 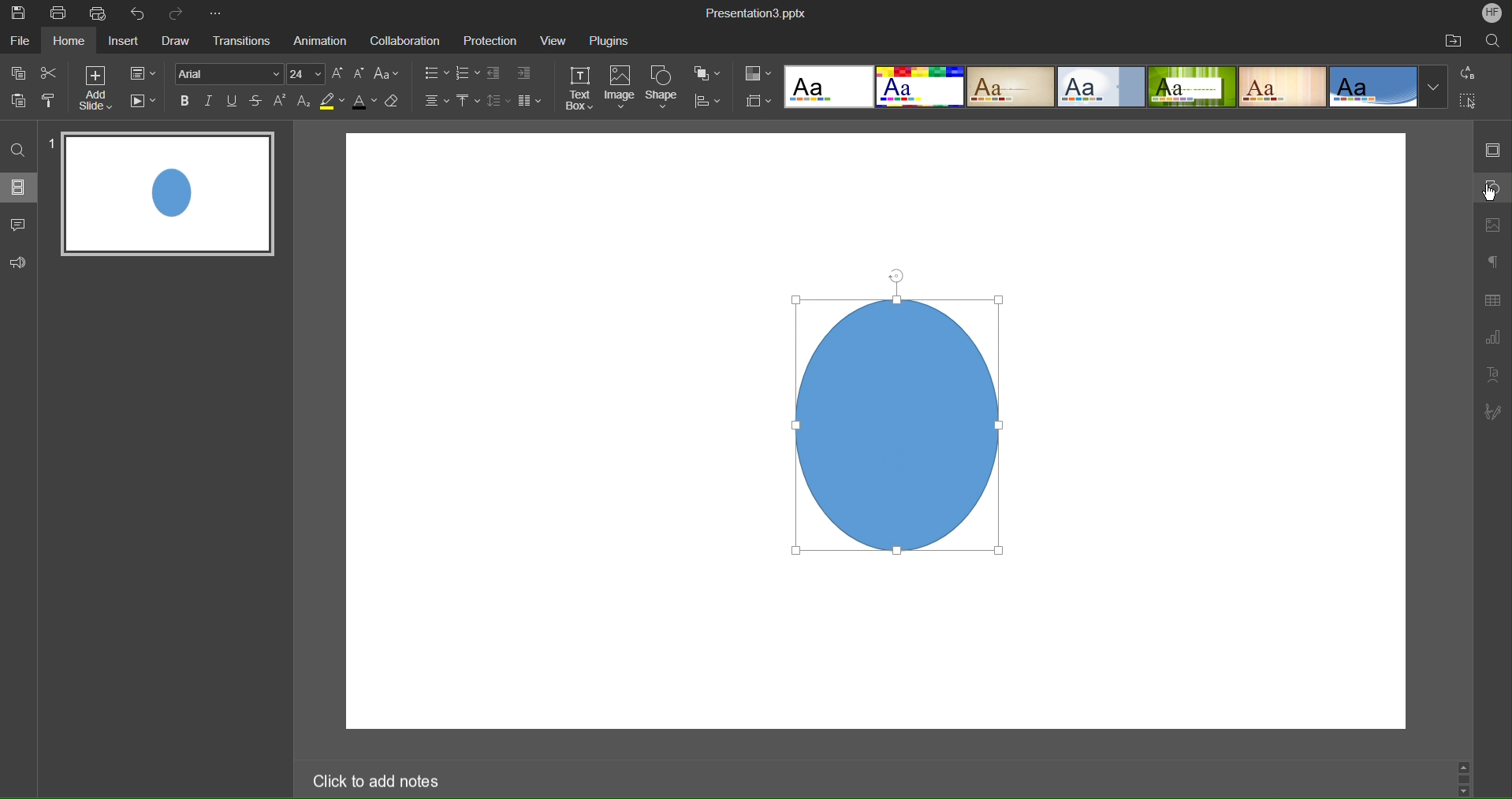 What do you see at coordinates (364, 104) in the screenshot?
I see `Text Color` at bounding box center [364, 104].